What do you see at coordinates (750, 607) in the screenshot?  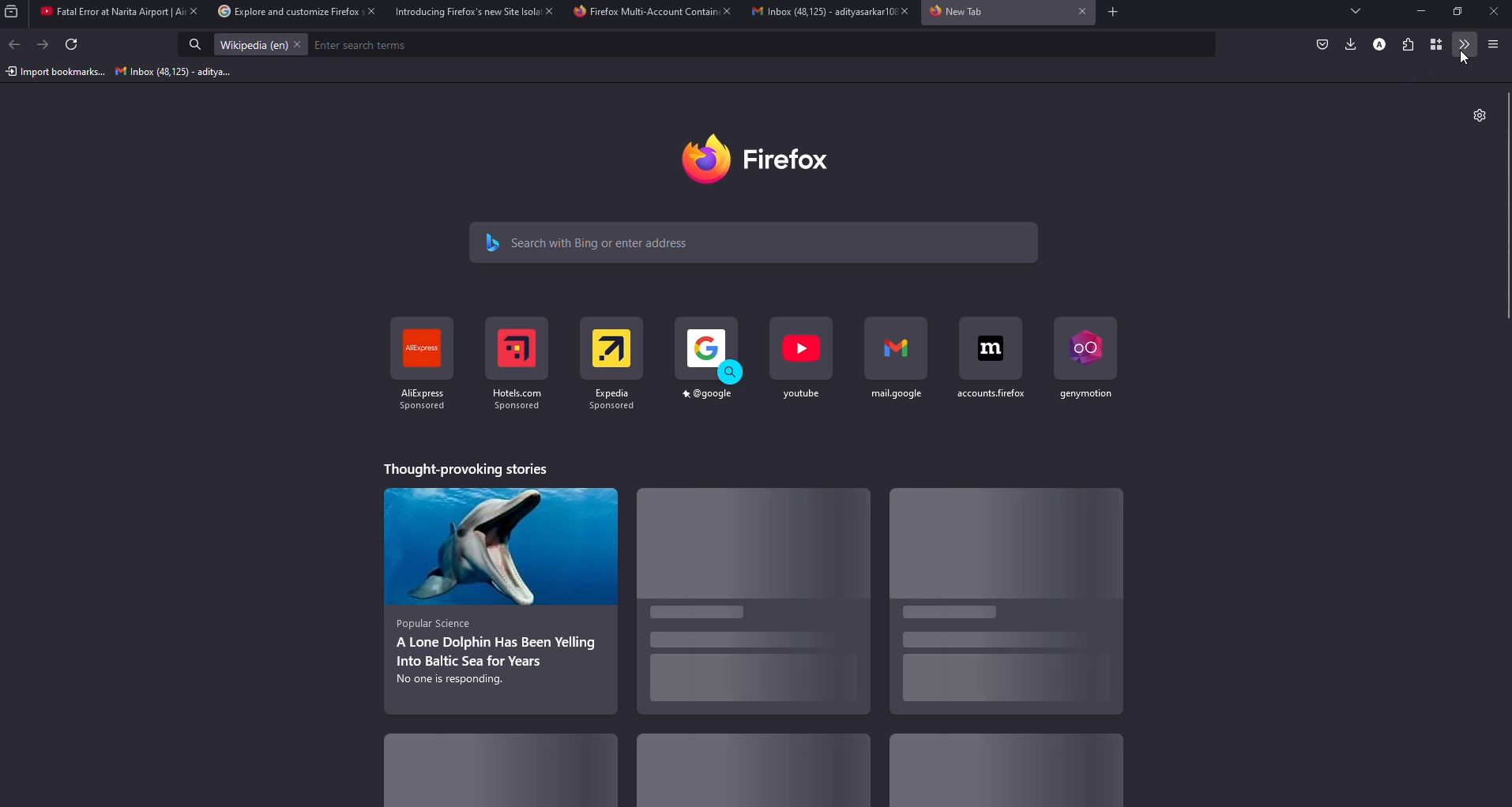 I see `stories` at bounding box center [750, 607].